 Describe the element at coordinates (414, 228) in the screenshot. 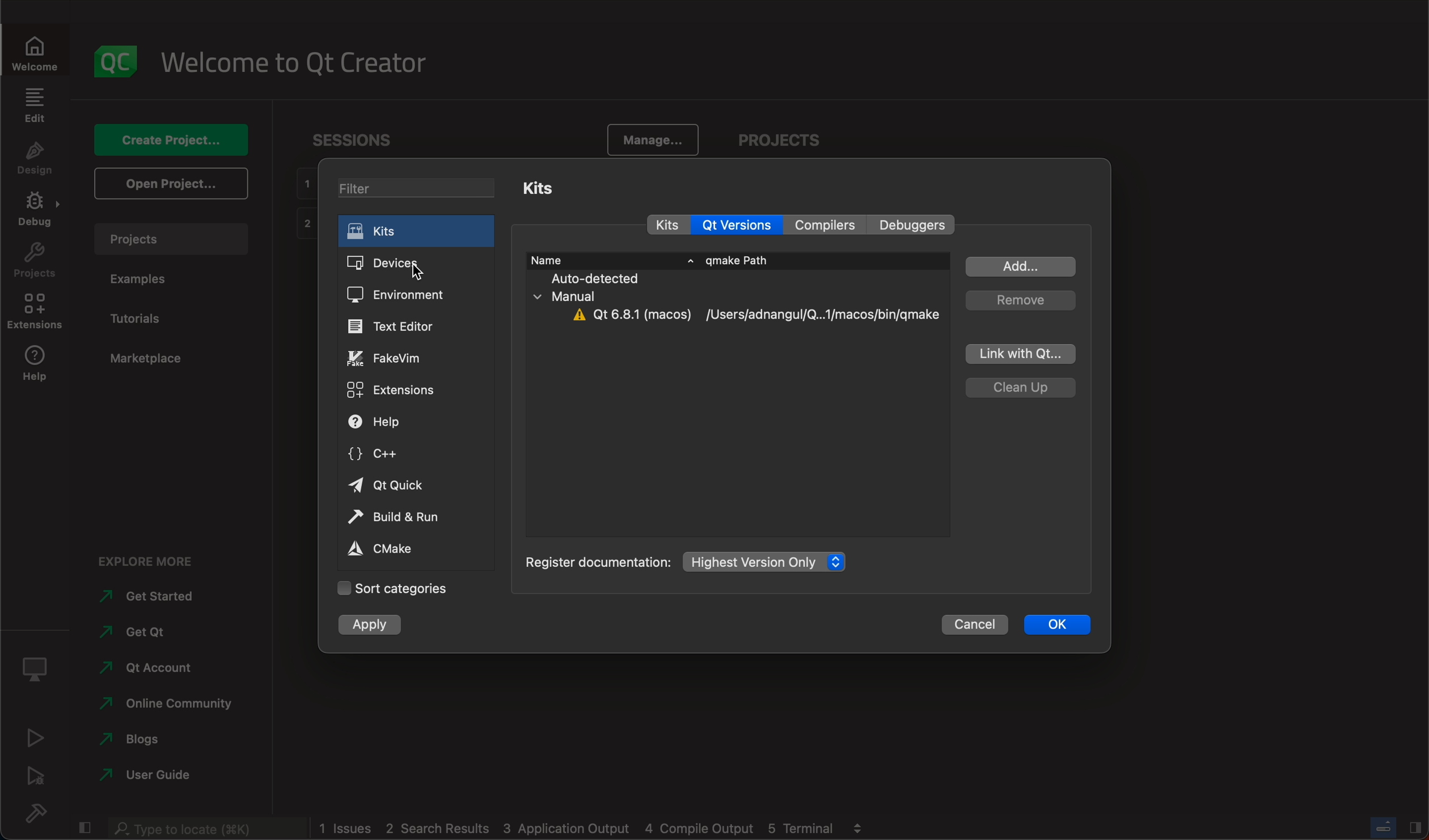

I see `kits` at that location.